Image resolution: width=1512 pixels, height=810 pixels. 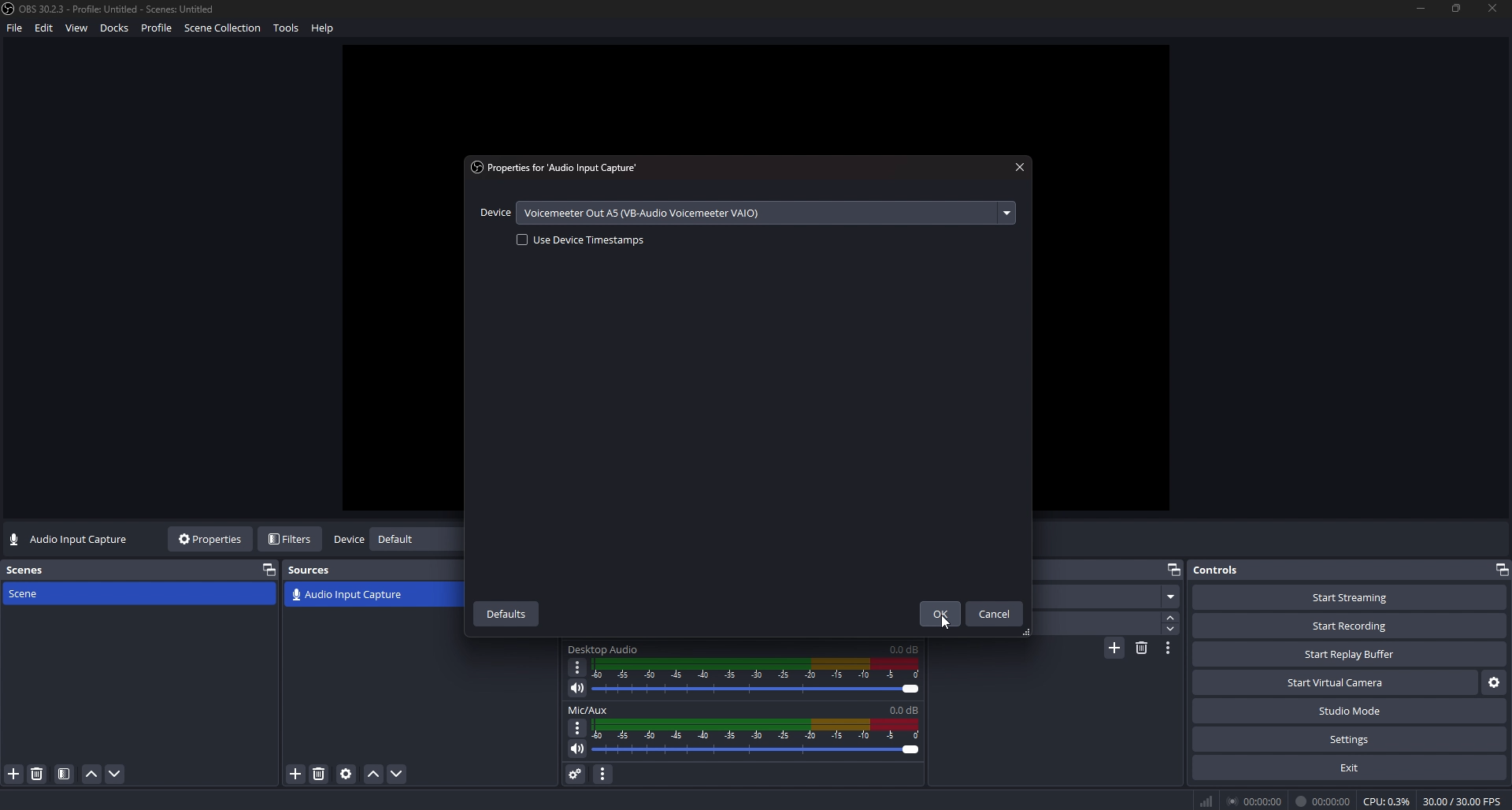 I want to click on device, so click(x=348, y=541).